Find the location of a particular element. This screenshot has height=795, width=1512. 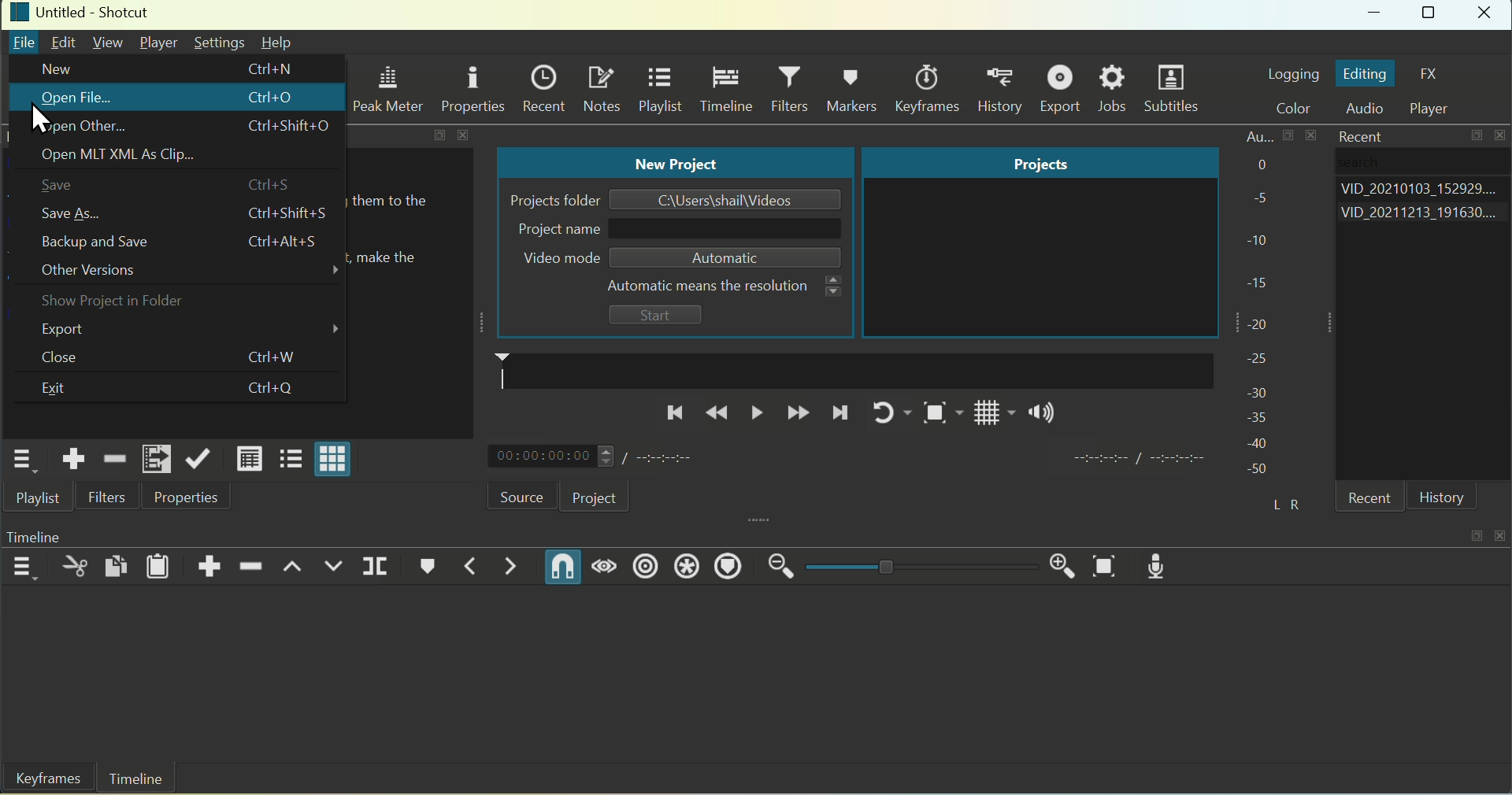

Peak Meter is located at coordinates (391, 91).